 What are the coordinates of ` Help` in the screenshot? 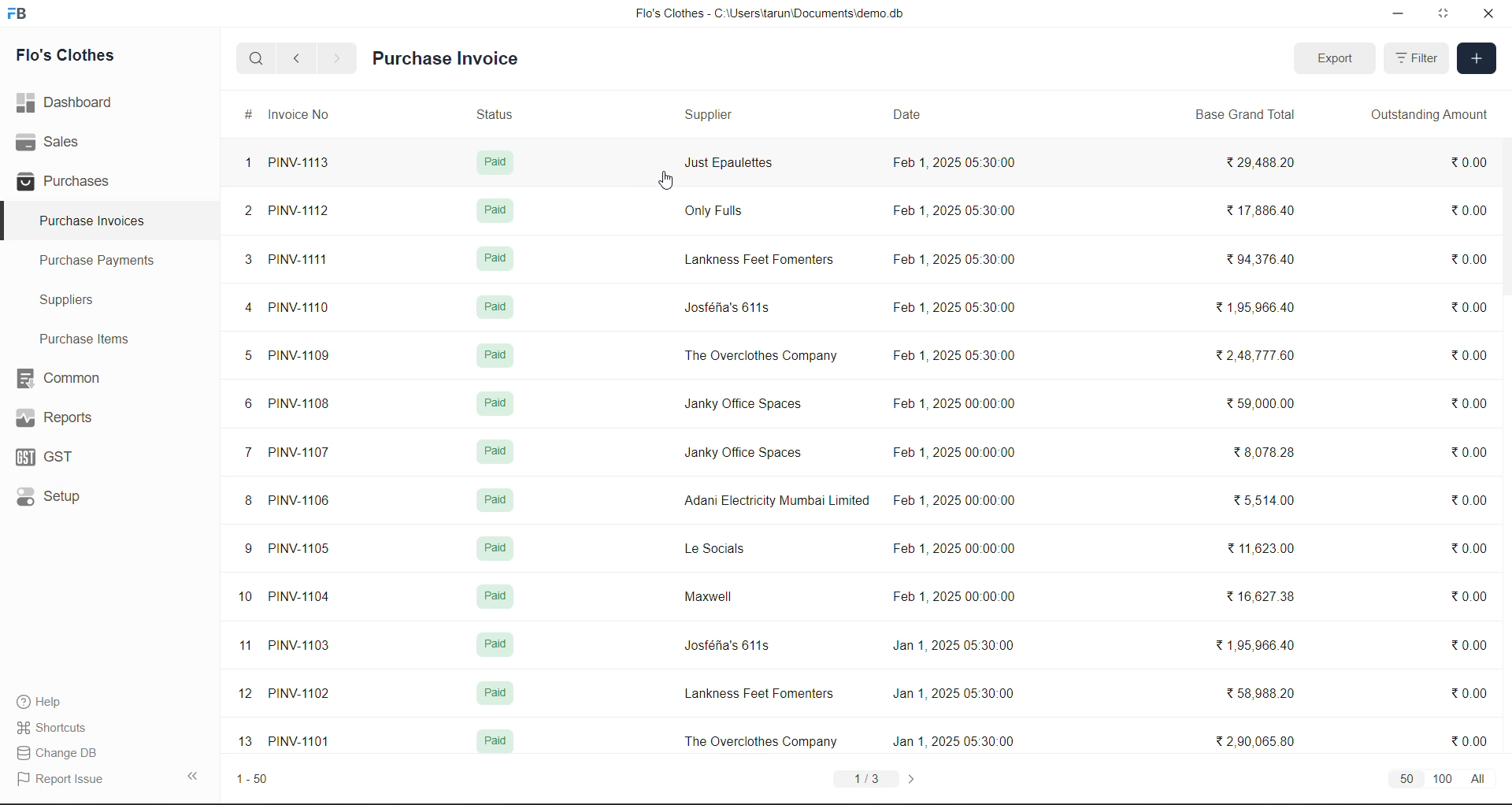 It's located at (53, 699).